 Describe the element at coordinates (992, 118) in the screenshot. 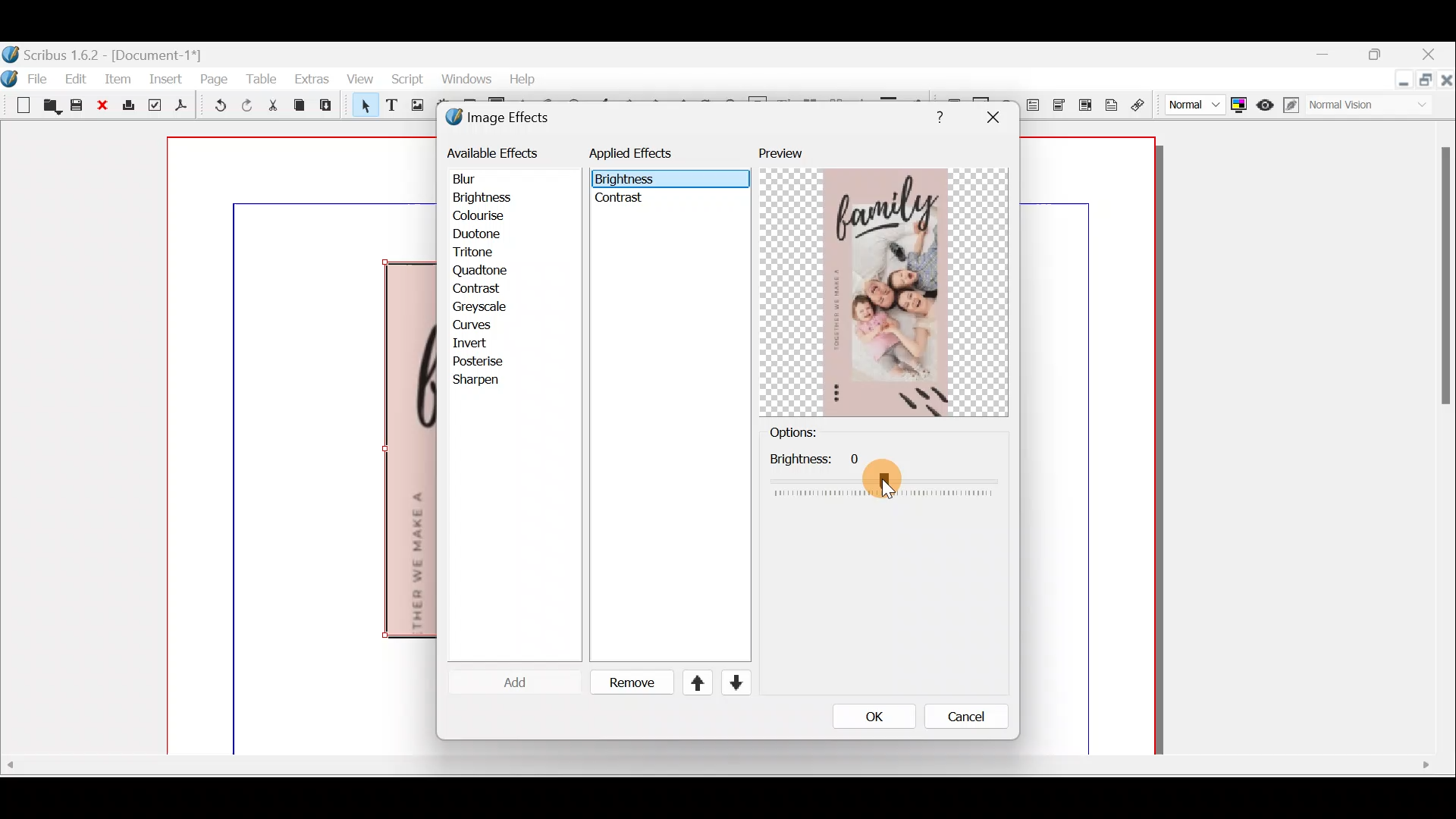

I see `` at that location.